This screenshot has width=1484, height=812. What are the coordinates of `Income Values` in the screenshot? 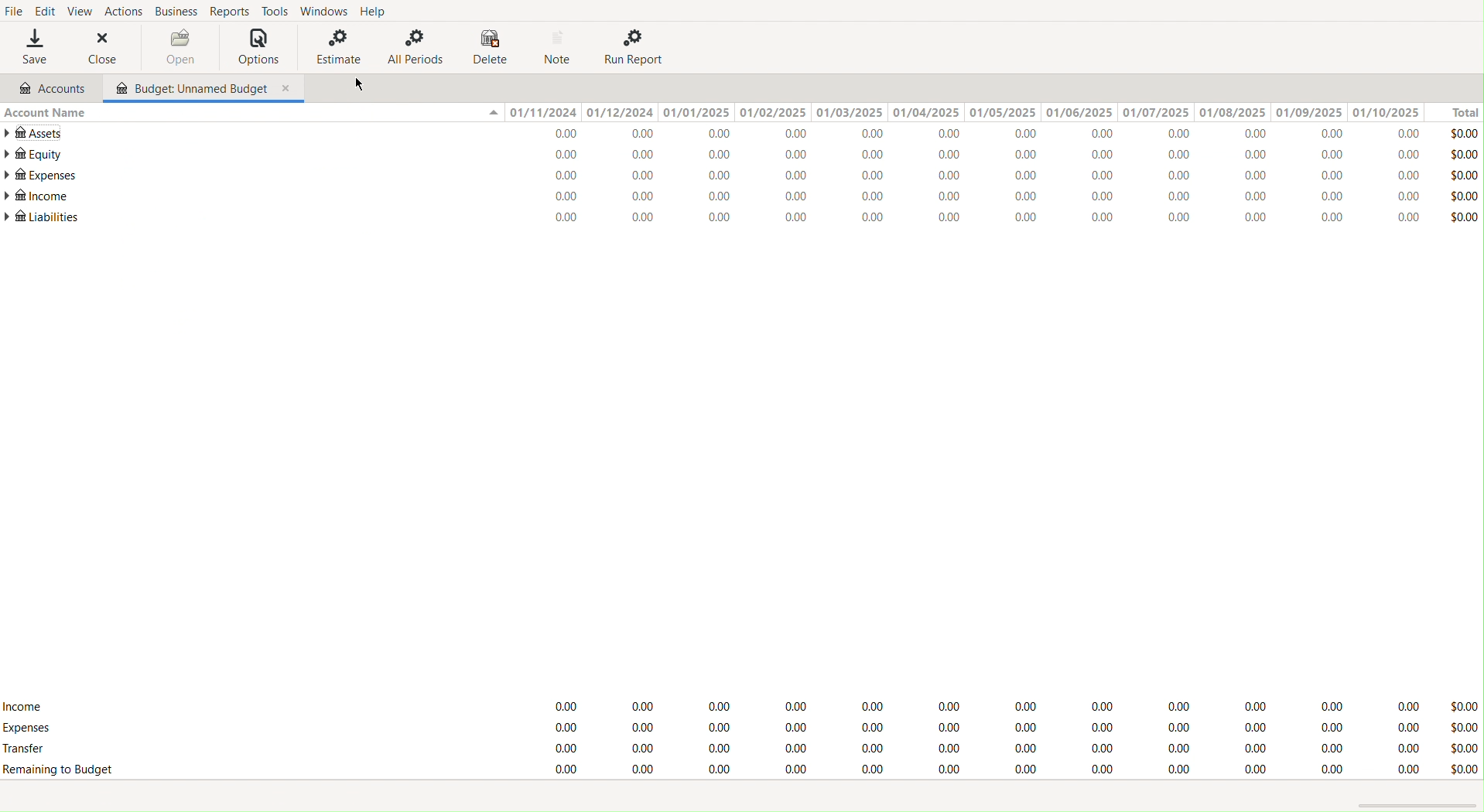 It's located at (978, 703).